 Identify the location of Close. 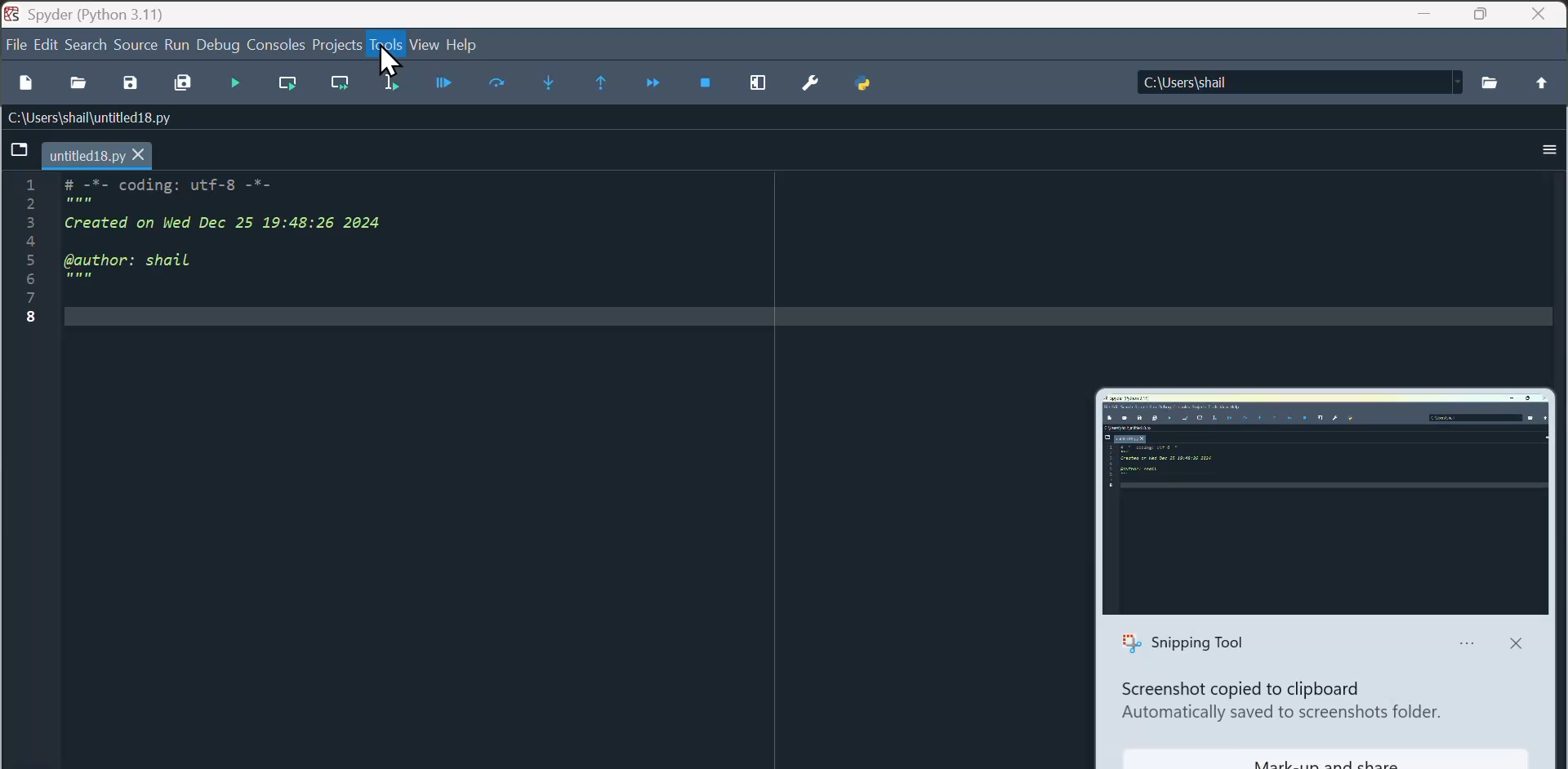
(1542, 14).